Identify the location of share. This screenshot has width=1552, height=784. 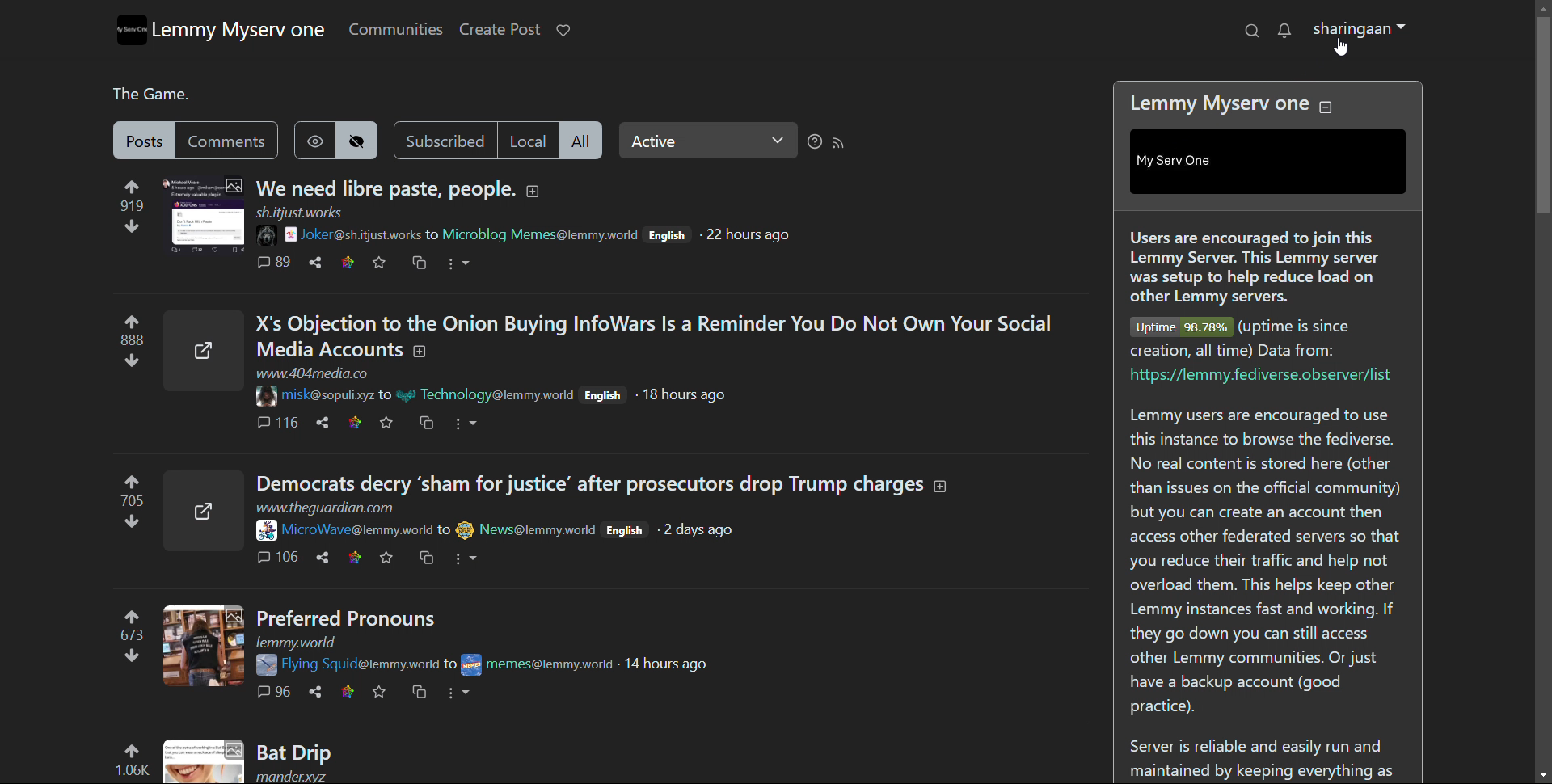
(323, 558).